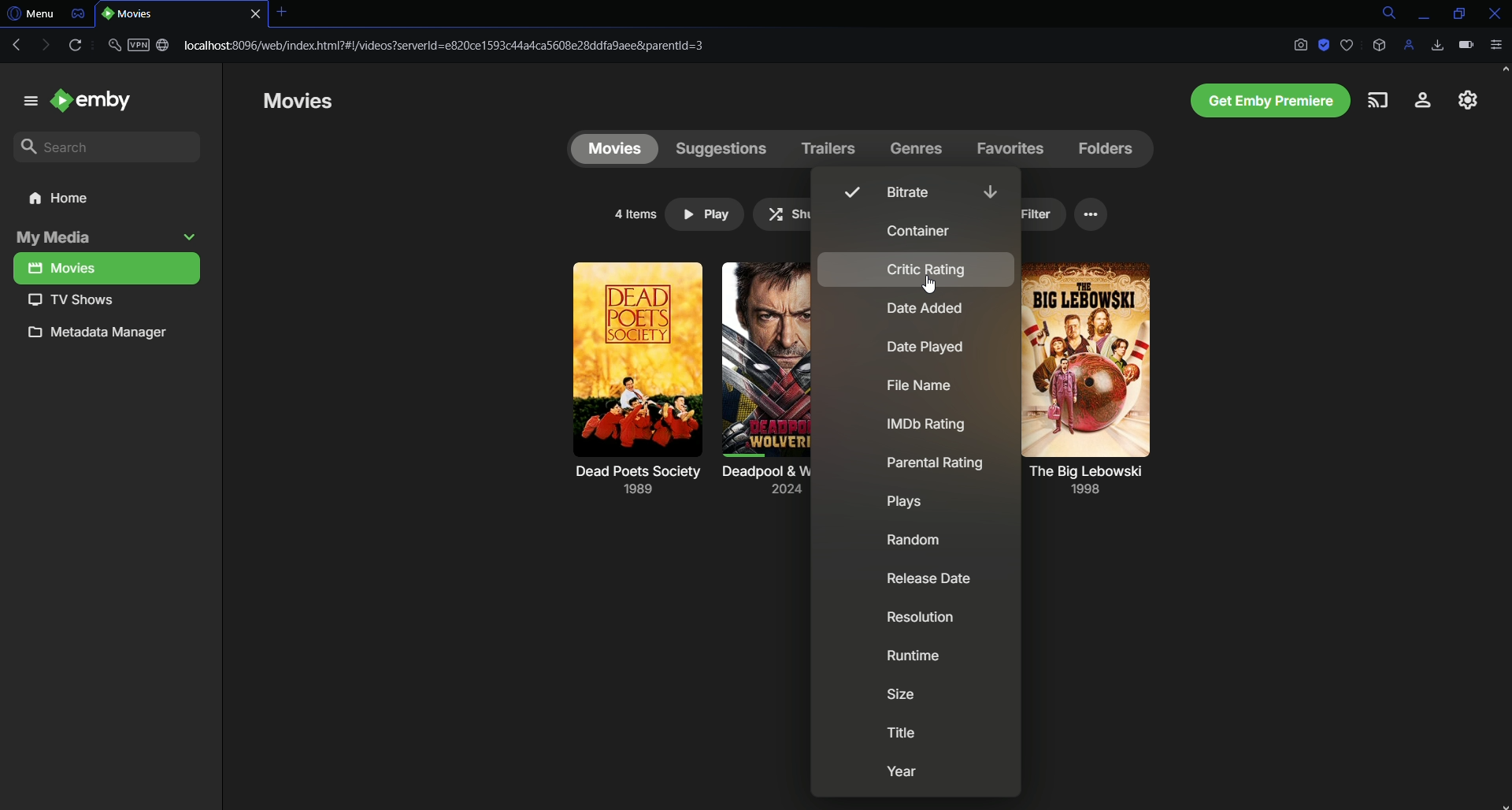 The width and height of the screenshot is (1512, 810). Describe the element at coordinates (1499, 47) in the screenshot. I see `Options` at that location.